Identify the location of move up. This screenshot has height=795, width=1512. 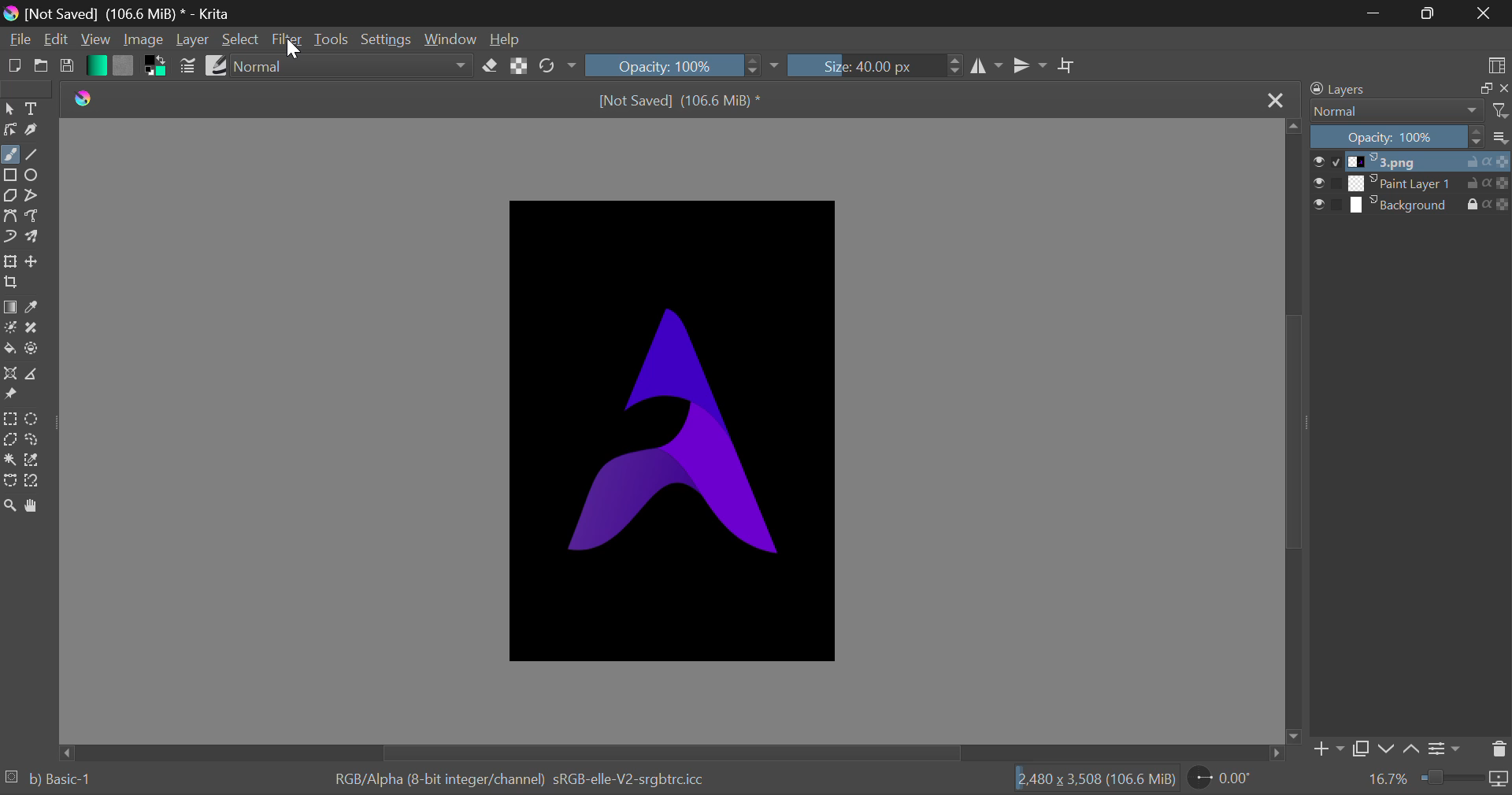
(1291, 131).